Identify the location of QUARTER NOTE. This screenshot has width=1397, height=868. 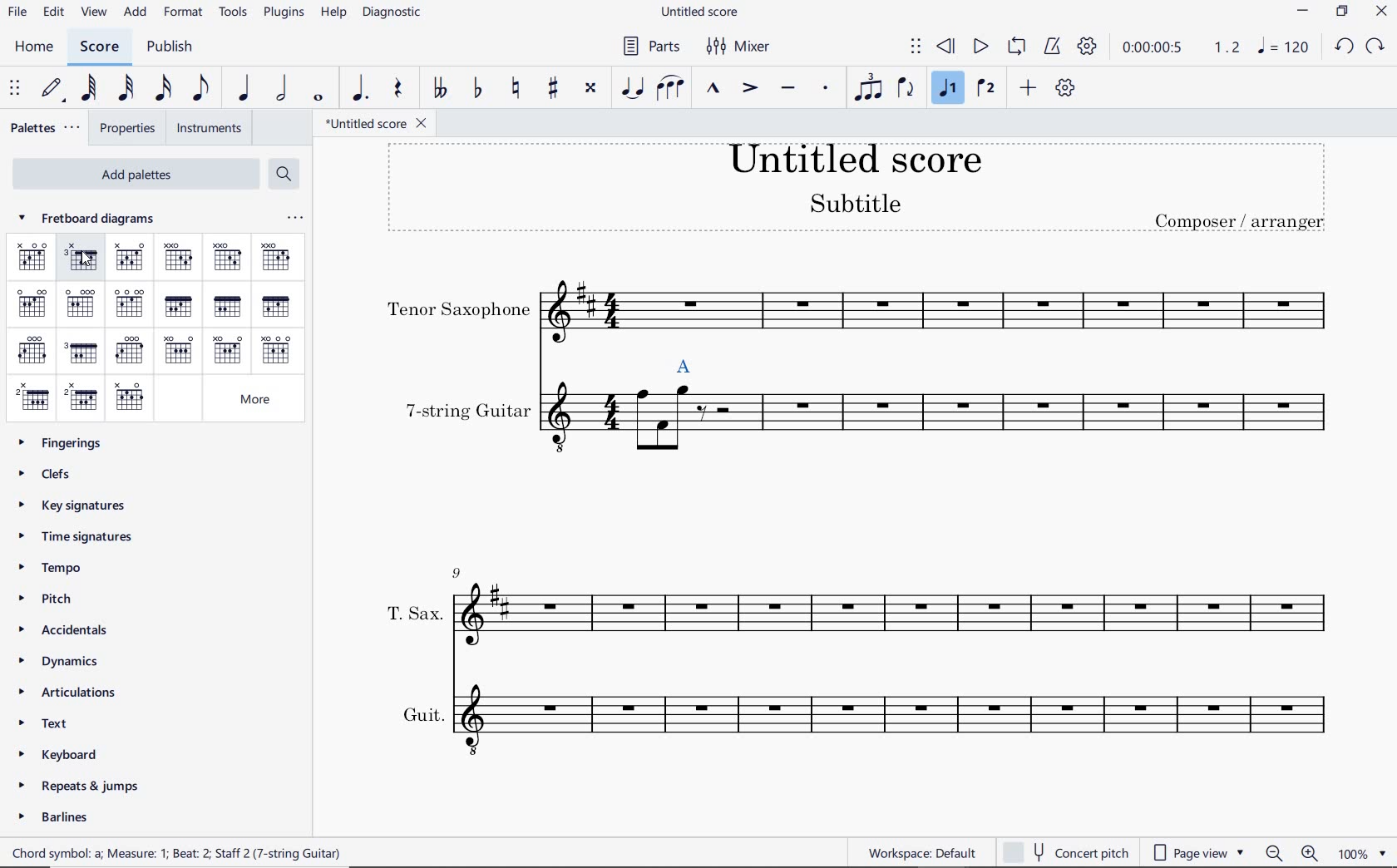
(241, 89).